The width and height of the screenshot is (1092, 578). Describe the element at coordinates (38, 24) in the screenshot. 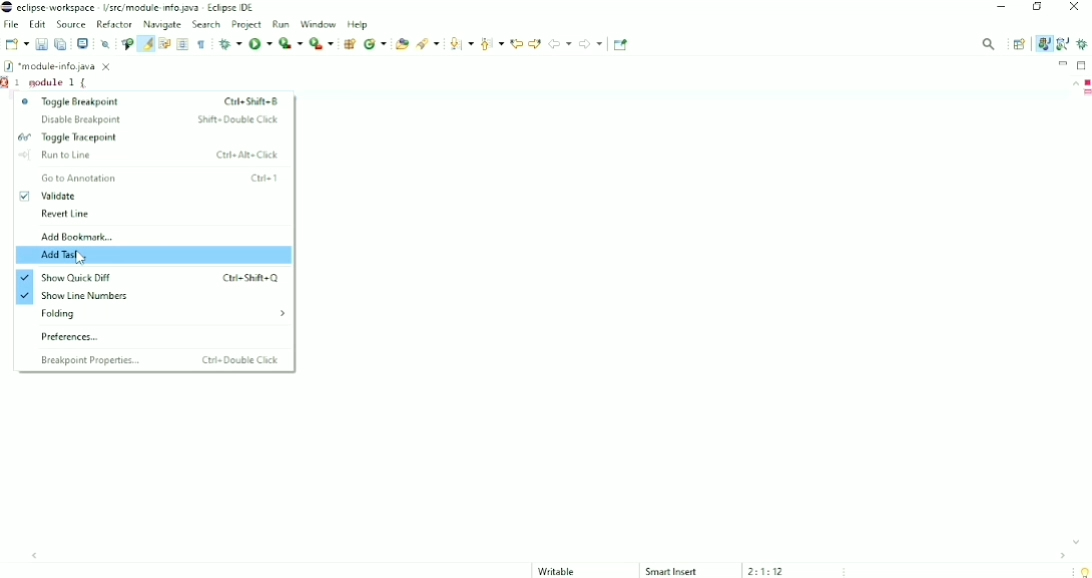

I see `Edit` at that location.